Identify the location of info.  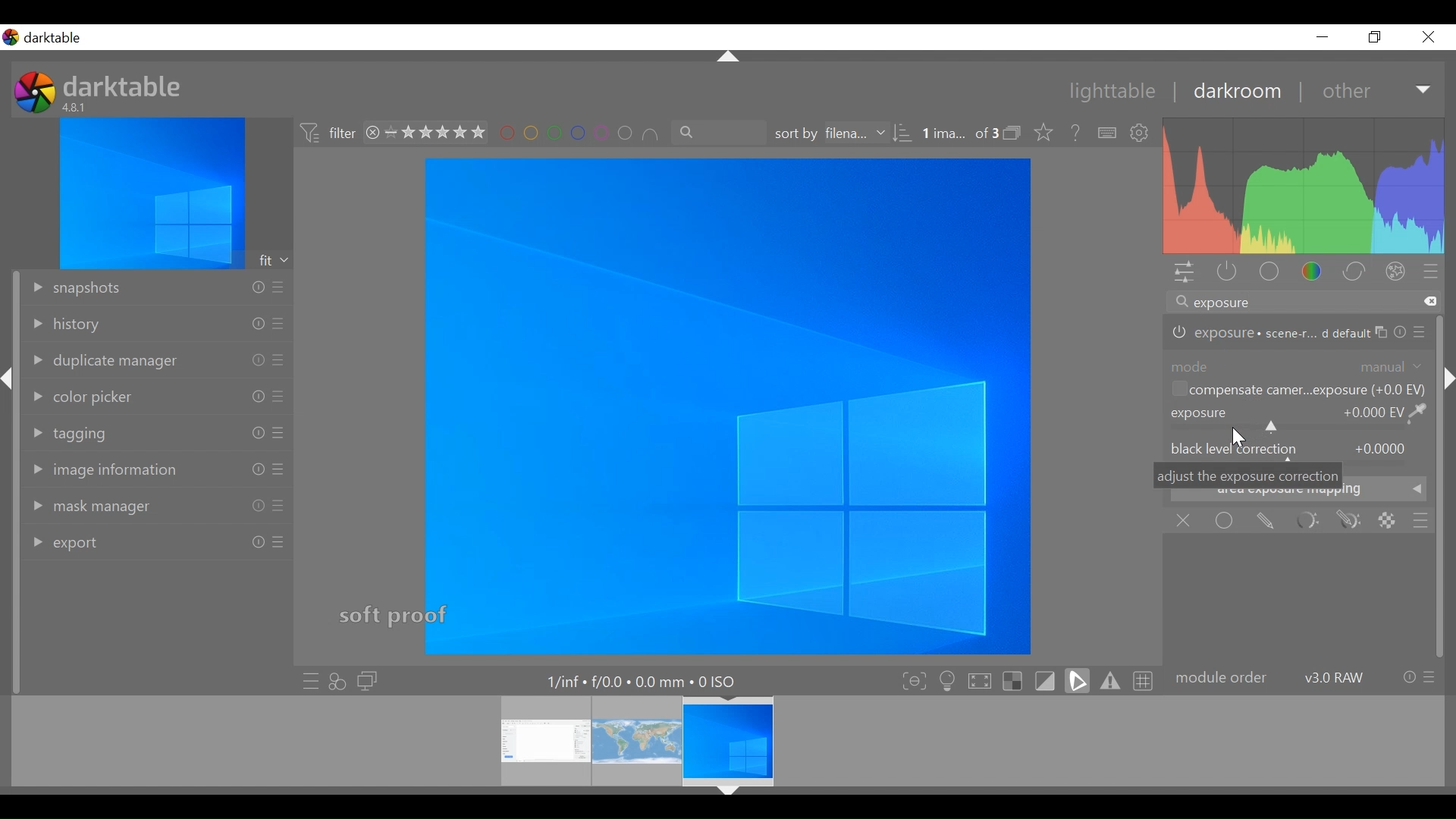
(257, 324).